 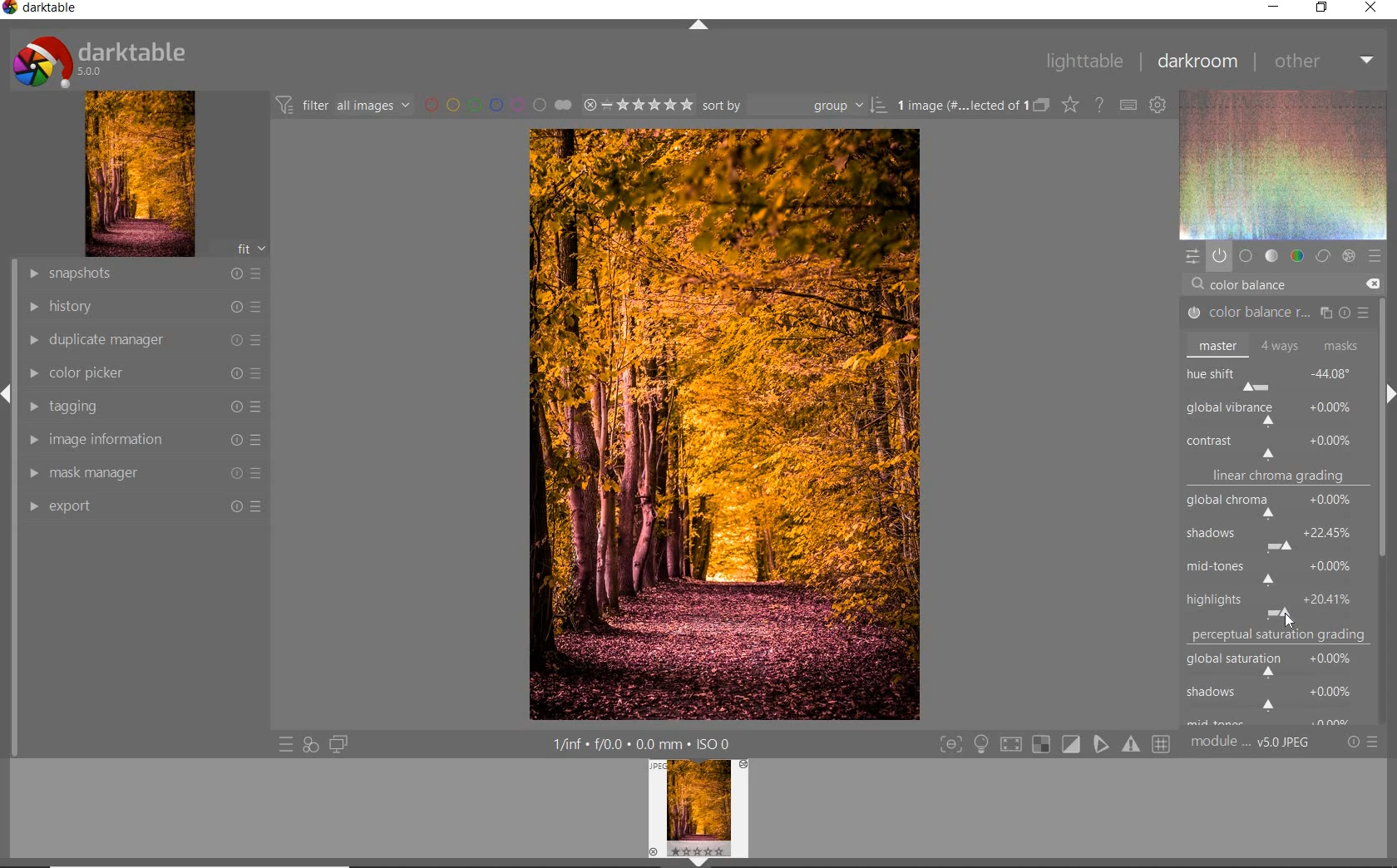 What do you see at coordinates (1276, 445) in the screenshot?
I see `contrast` at bounding box center [1276, 445].